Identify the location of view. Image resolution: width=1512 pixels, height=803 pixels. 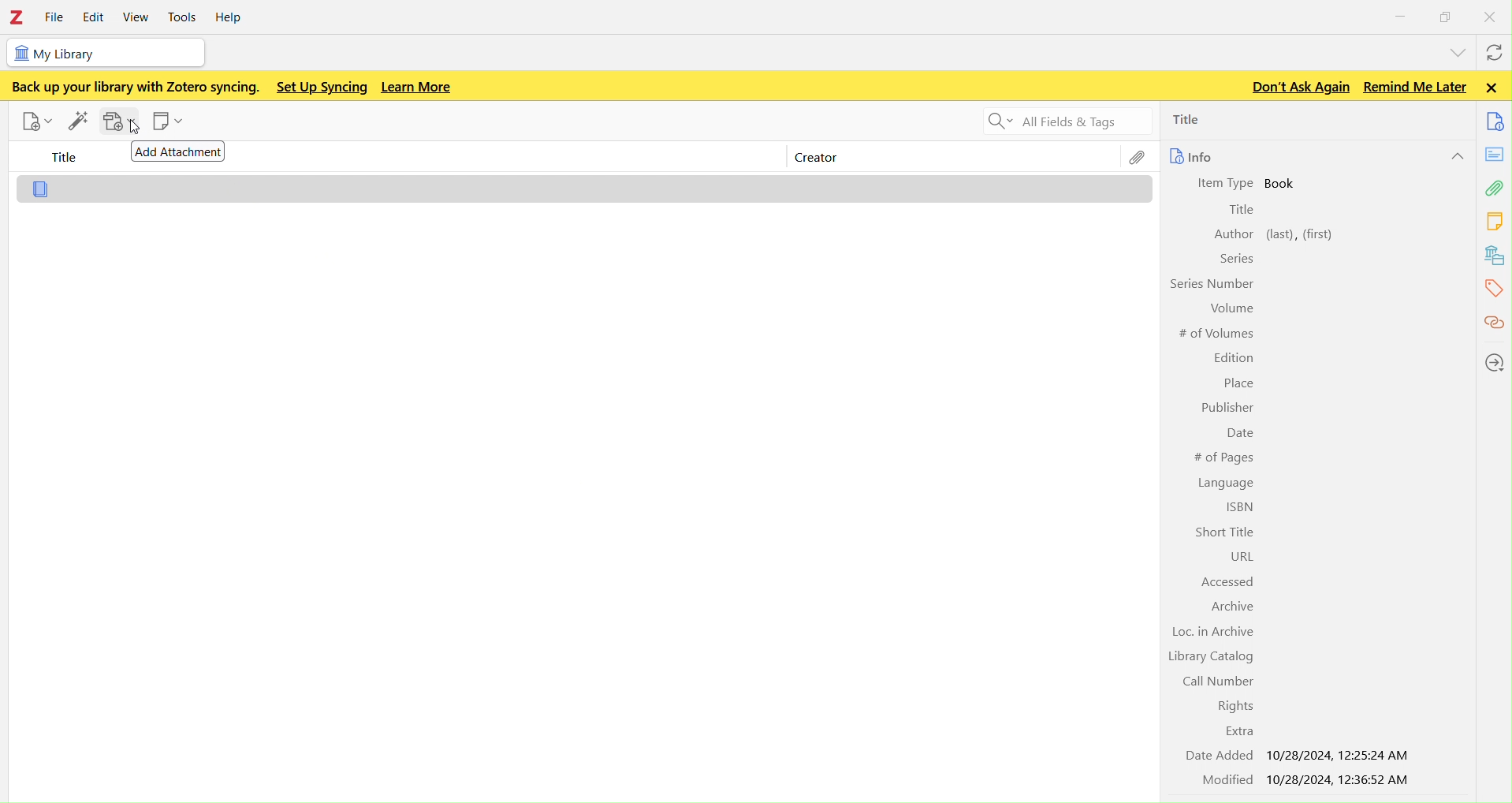
(140, 17).